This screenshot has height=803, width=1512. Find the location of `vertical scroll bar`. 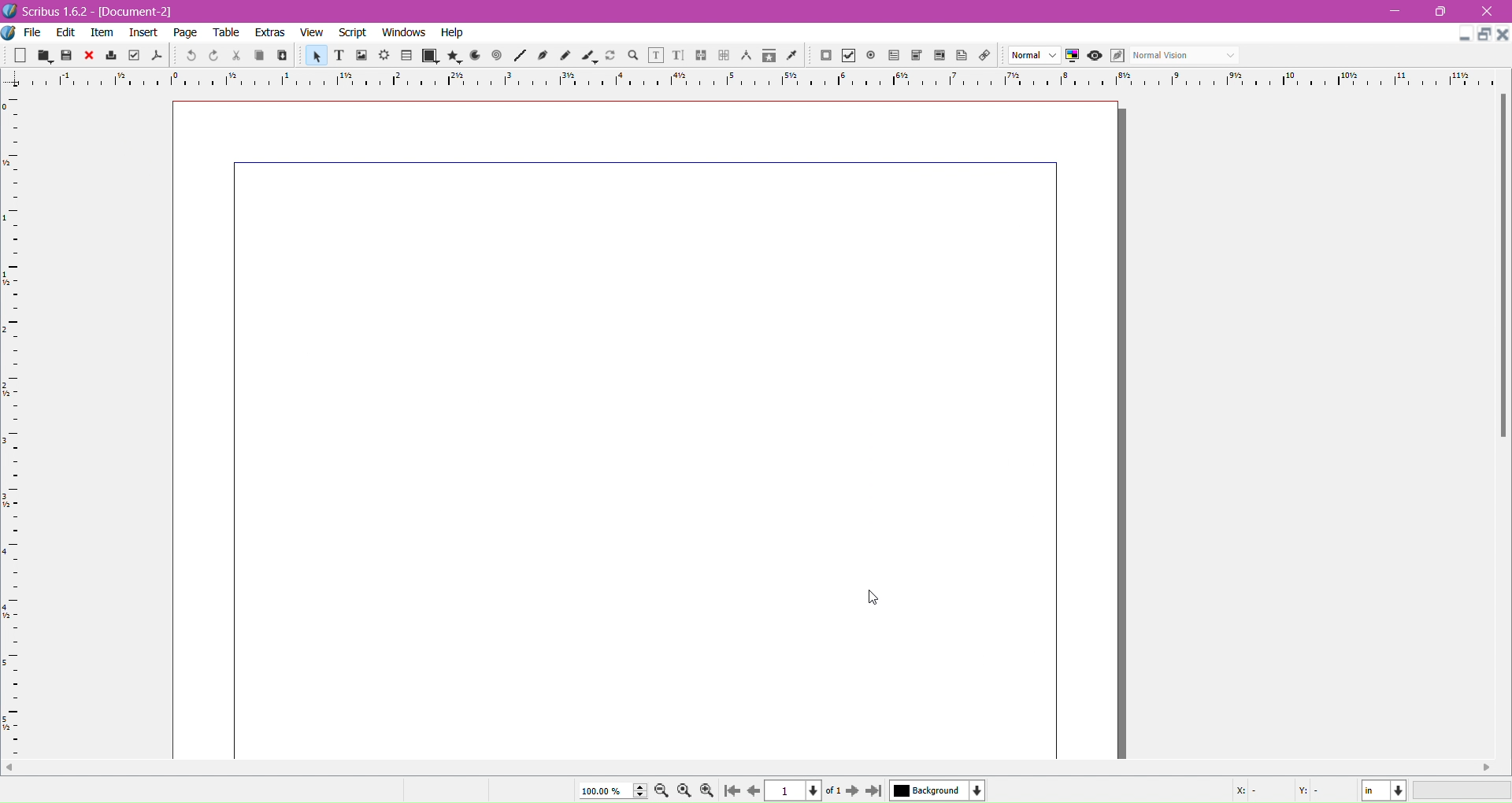

vertical scroll bar is located at coordinates (757, 768).